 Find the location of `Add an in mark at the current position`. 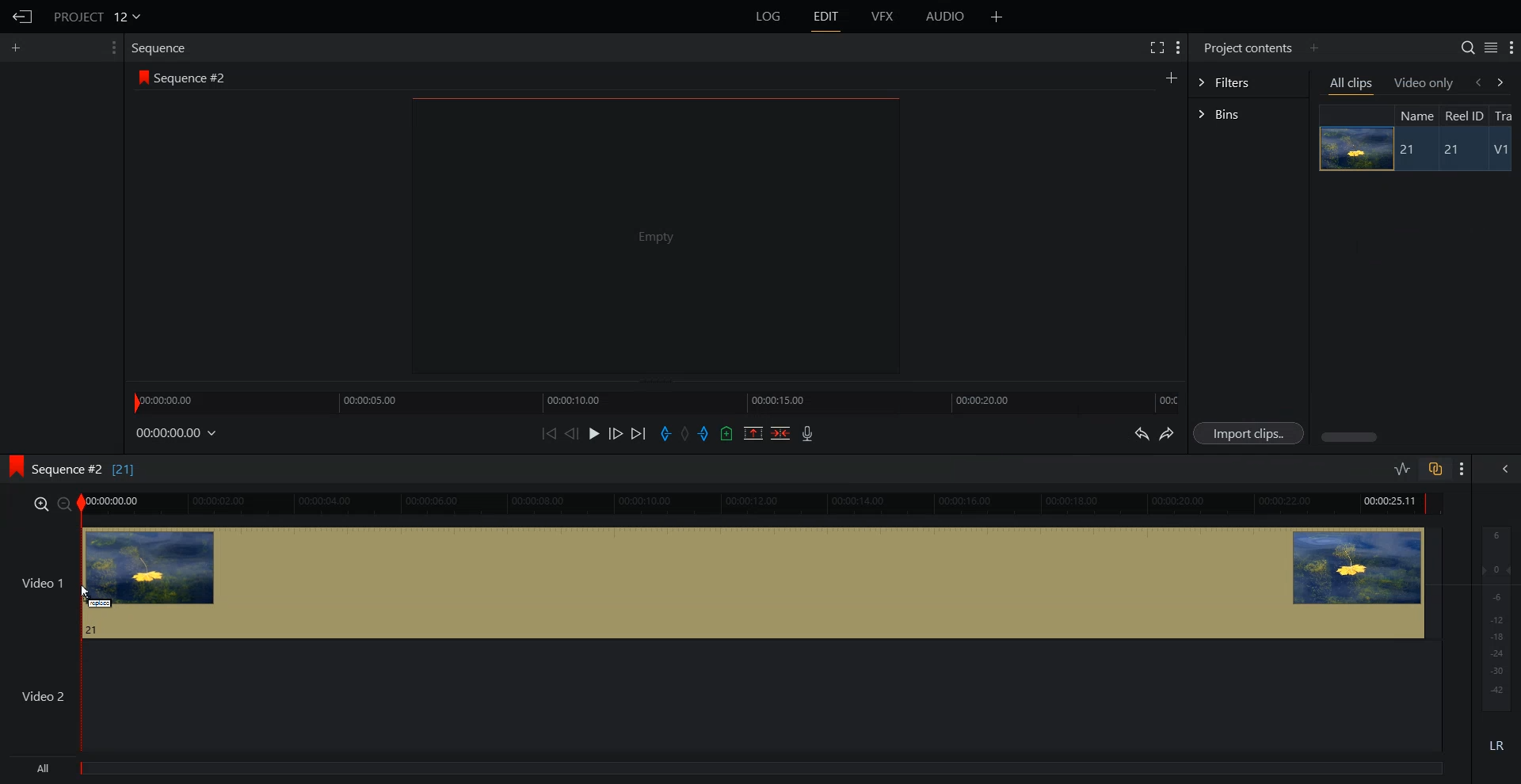

Add an in mark at the current position is located at coordinates (665, 433).